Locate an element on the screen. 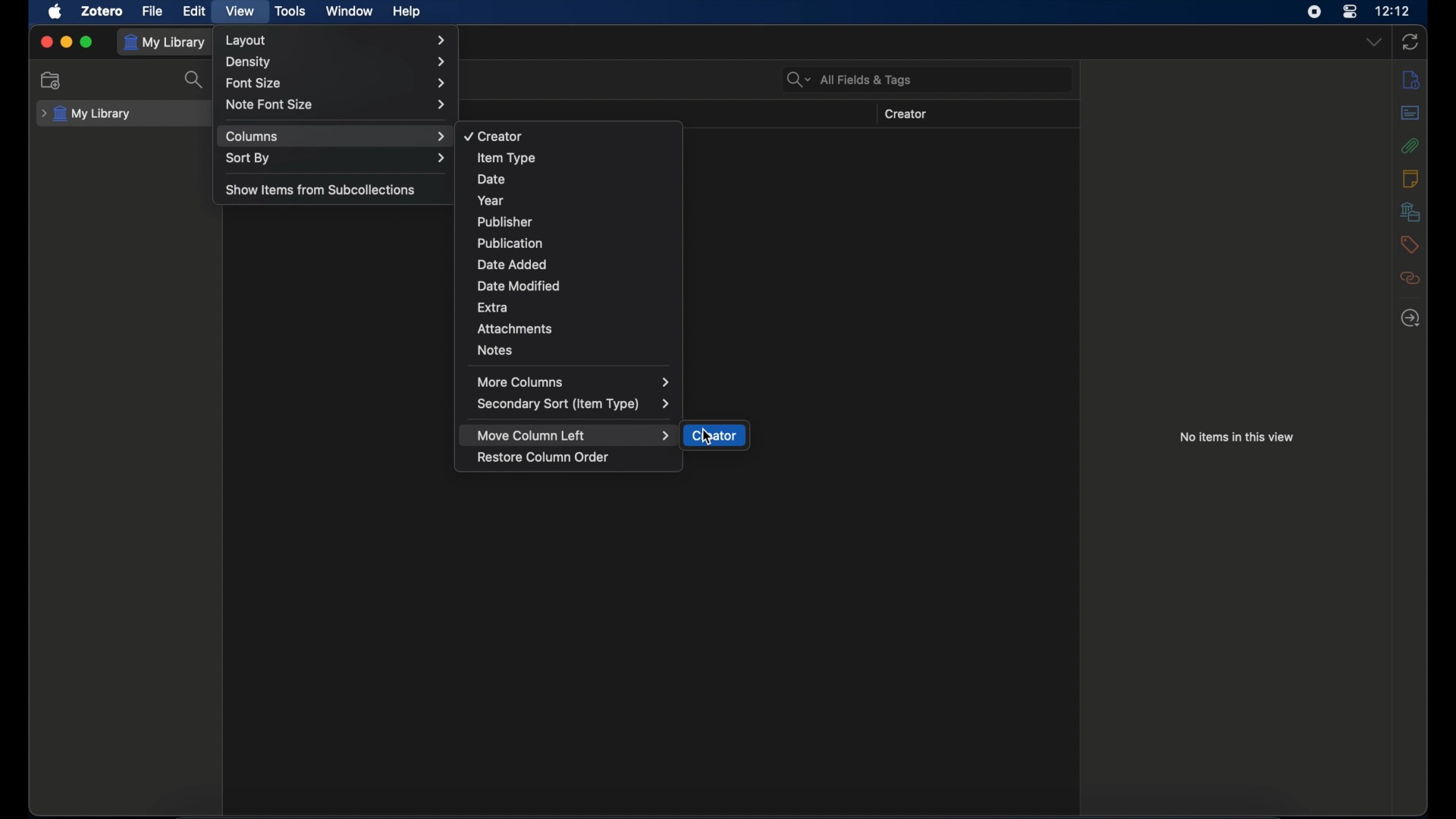  edit is located at coordinates (196, 11).